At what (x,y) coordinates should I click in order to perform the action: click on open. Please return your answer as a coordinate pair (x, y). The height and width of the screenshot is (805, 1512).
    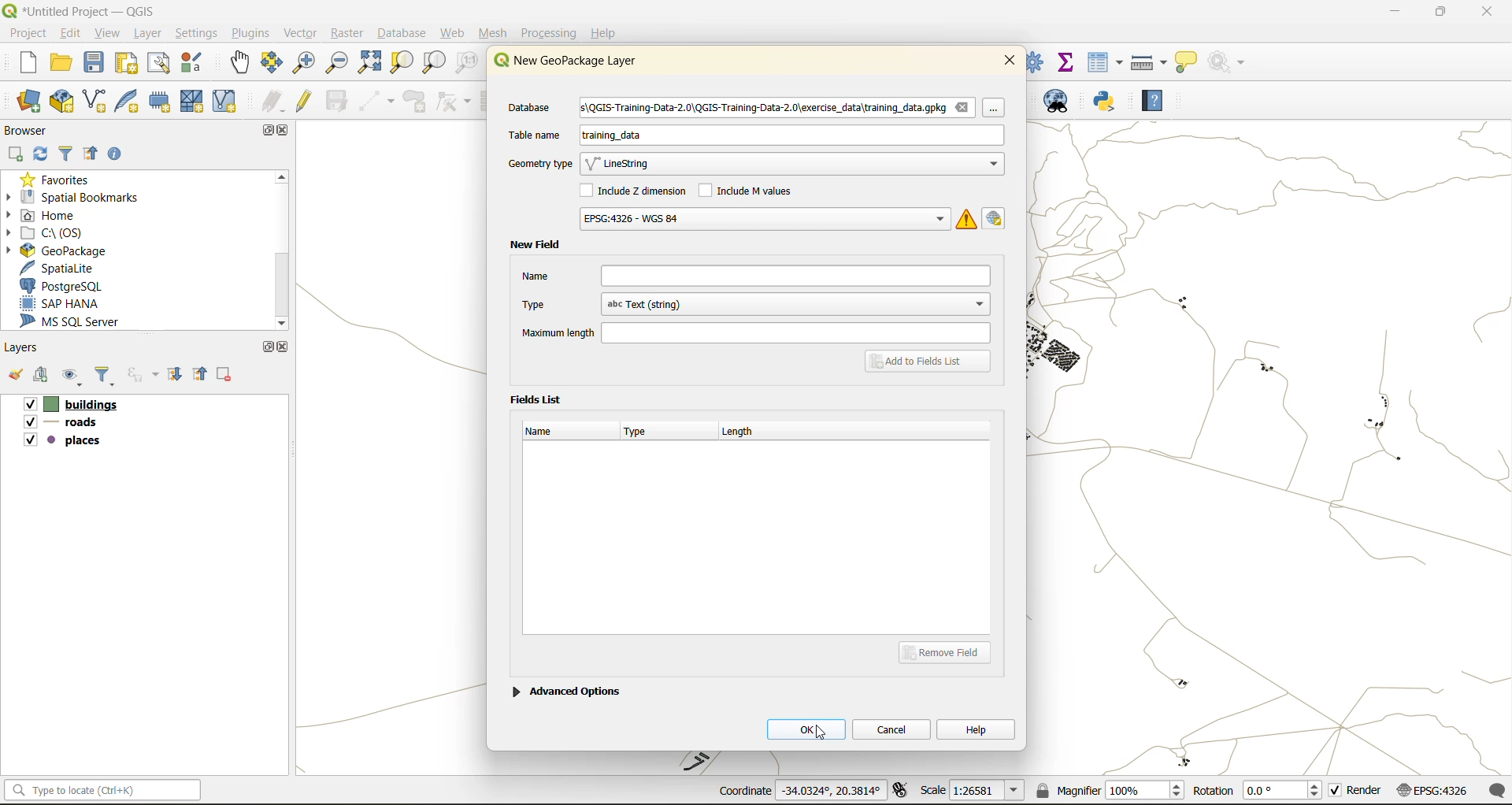
    Looking at the image, I should click on (14, 378).